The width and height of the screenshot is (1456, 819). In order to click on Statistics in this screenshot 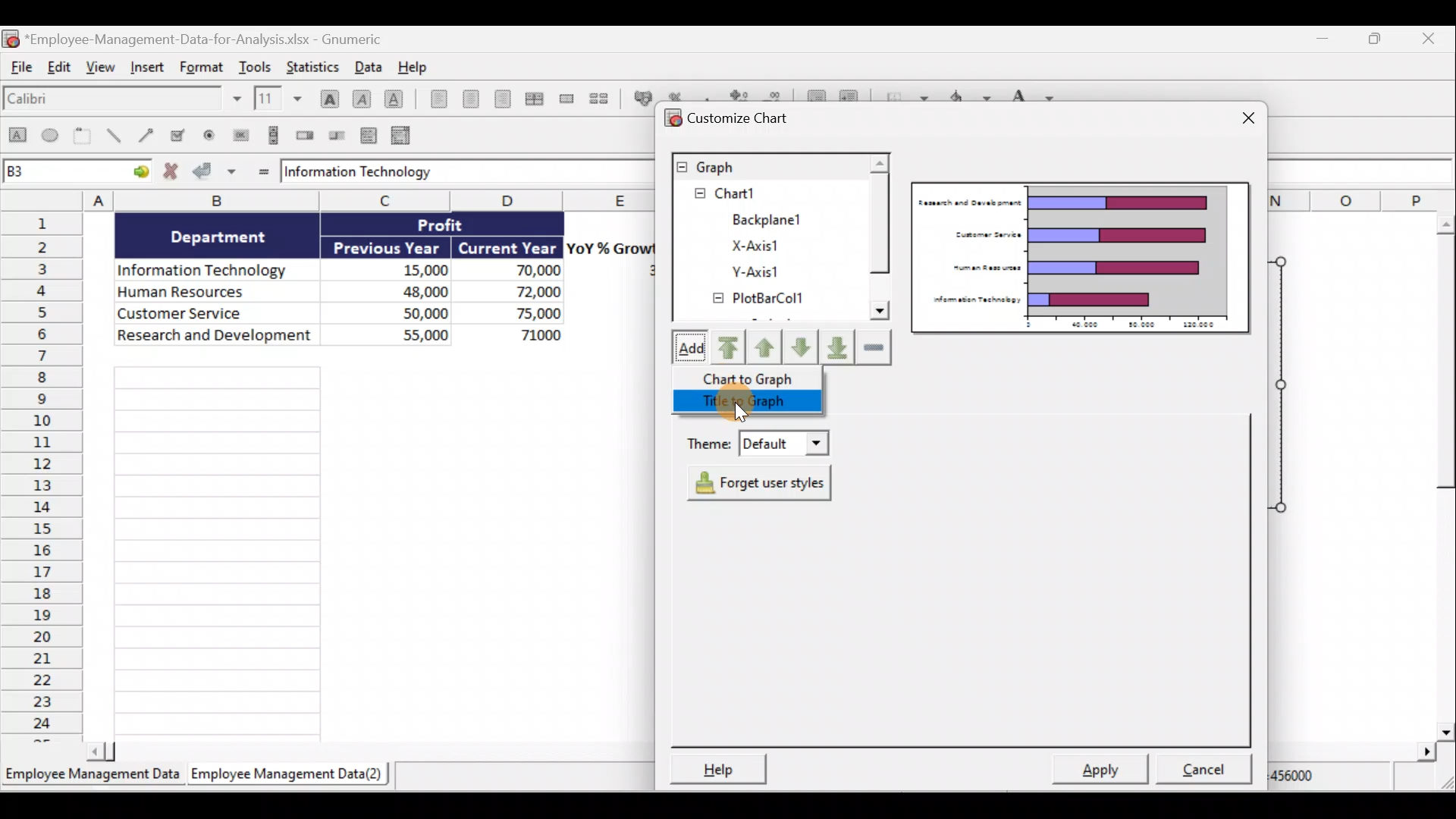, I will do `click(312, 65)`.